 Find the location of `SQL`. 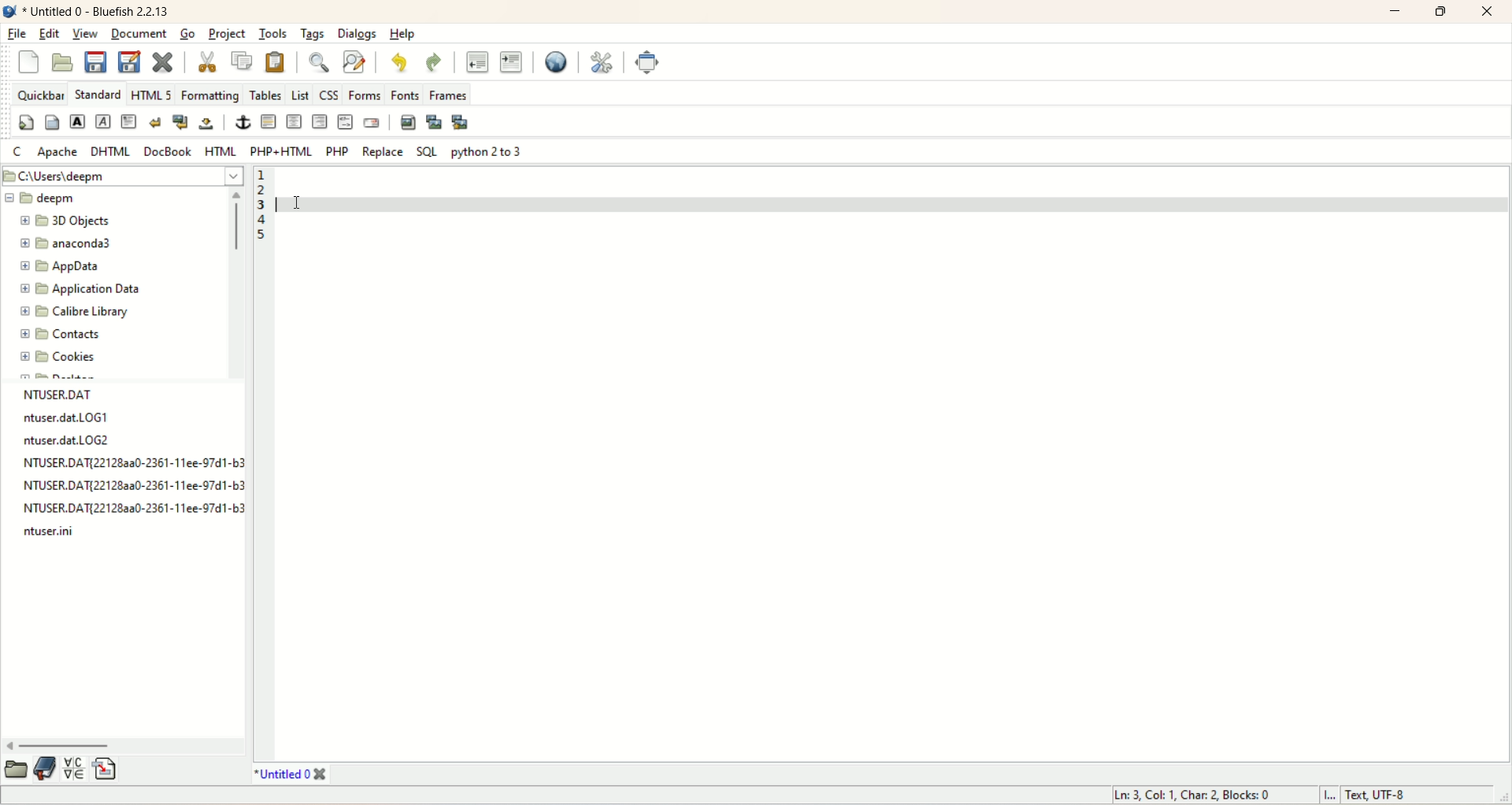

SQL is located at coordinates (427, 151).